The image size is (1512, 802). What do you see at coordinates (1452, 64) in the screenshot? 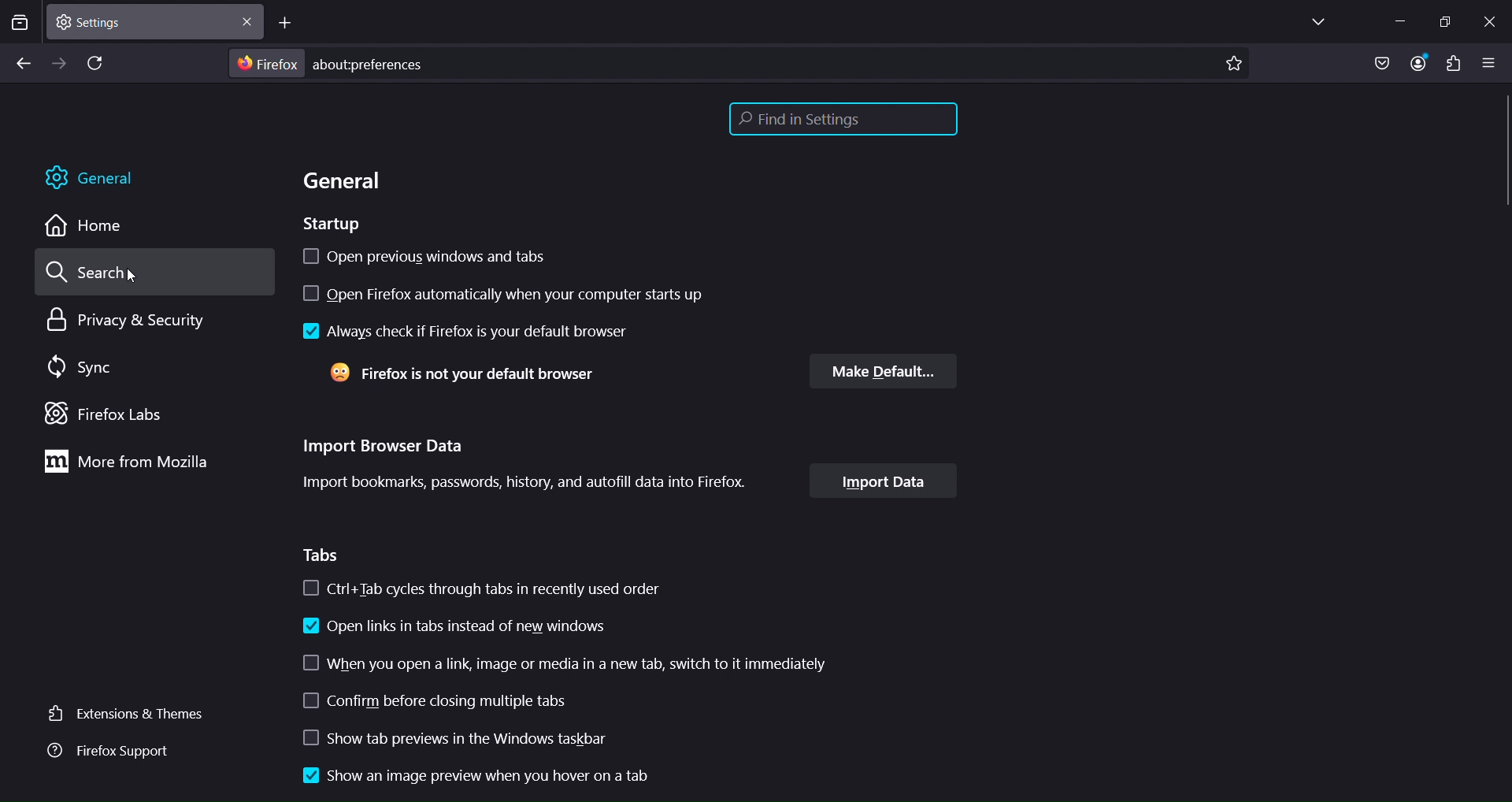
I see `menu` at bounding box center [1452, 64].